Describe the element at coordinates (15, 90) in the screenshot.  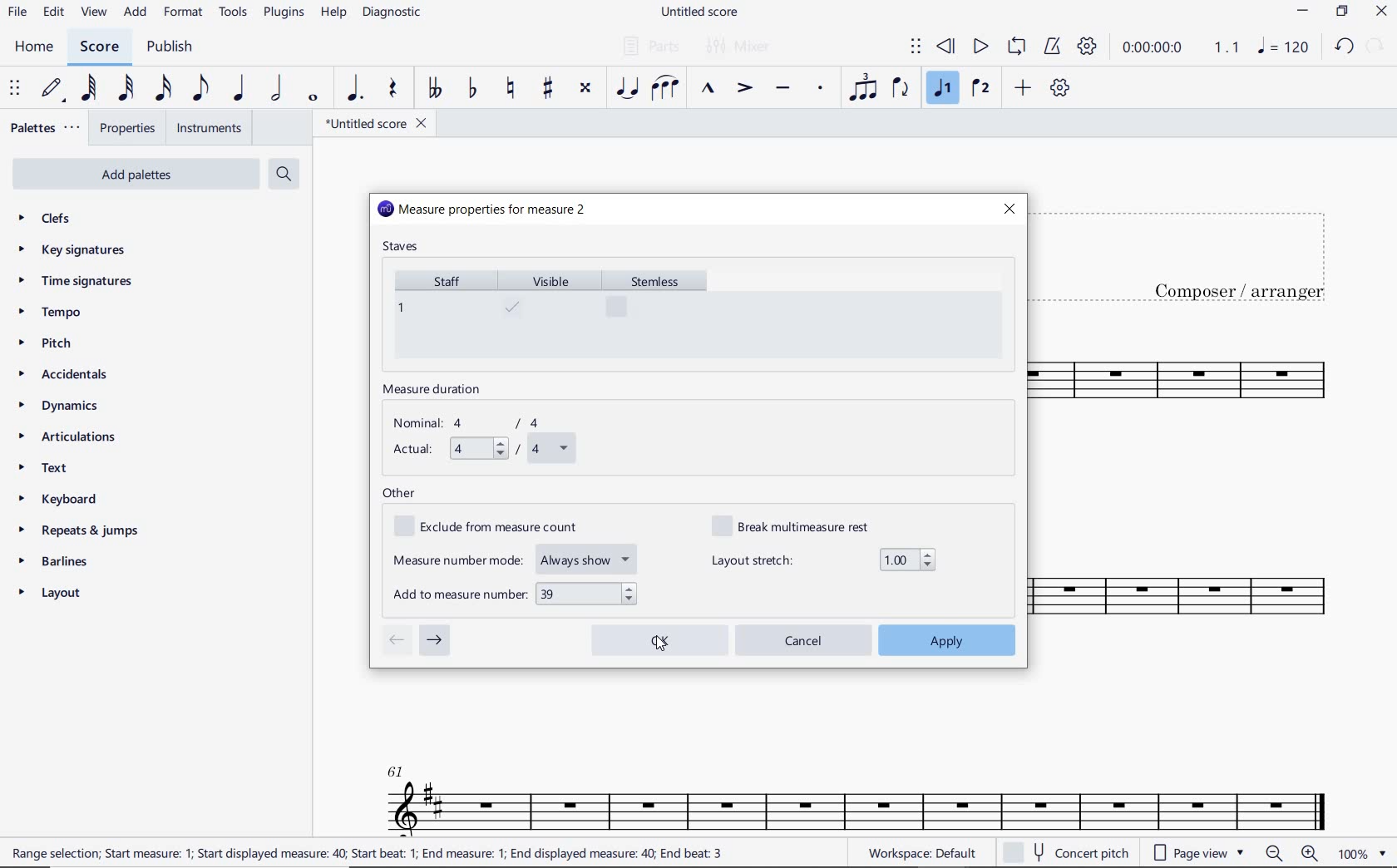
I see `SELECET TO MOVE` at that location.